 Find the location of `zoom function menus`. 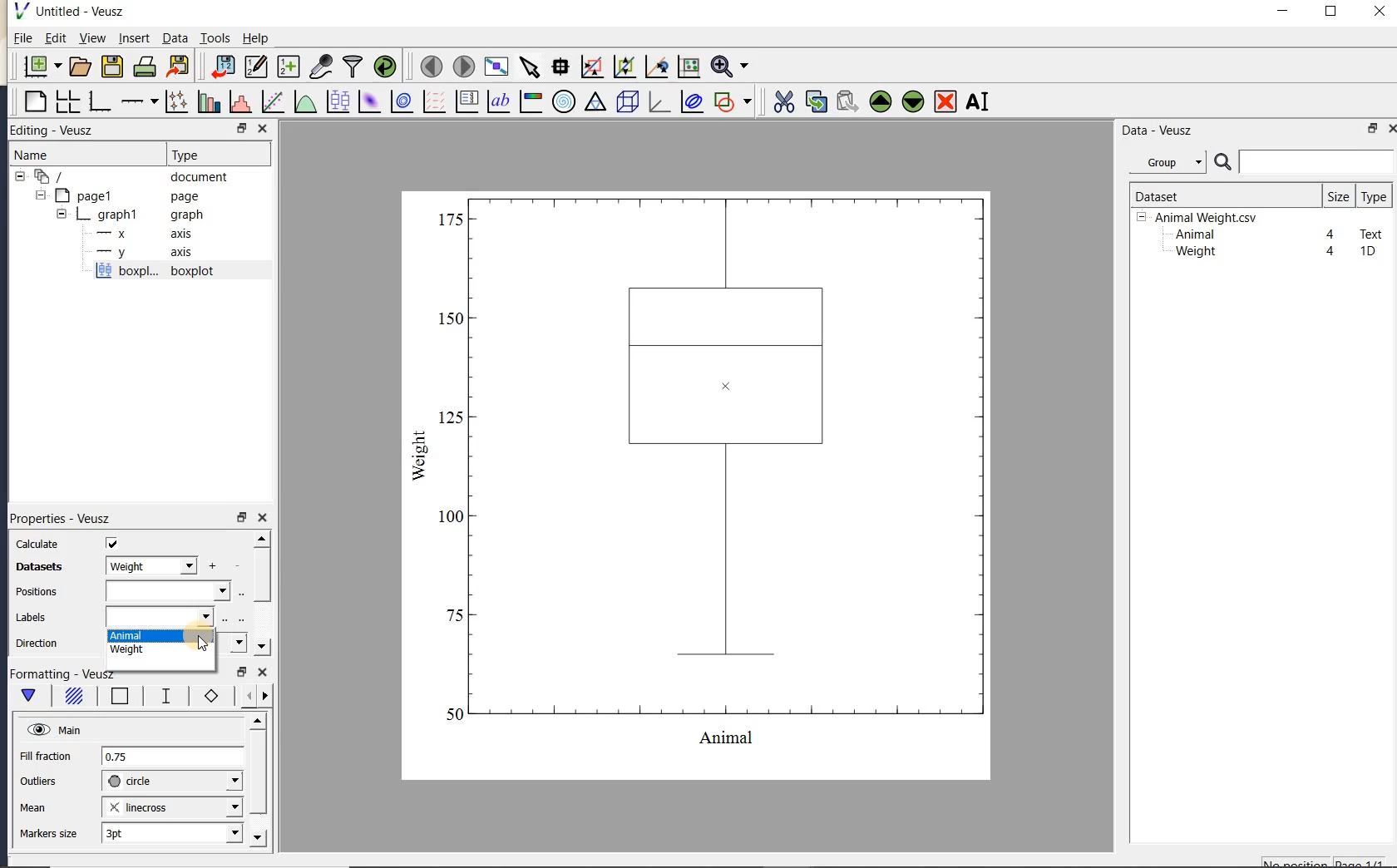

zoom function menus is located at coordinates (729, 67).